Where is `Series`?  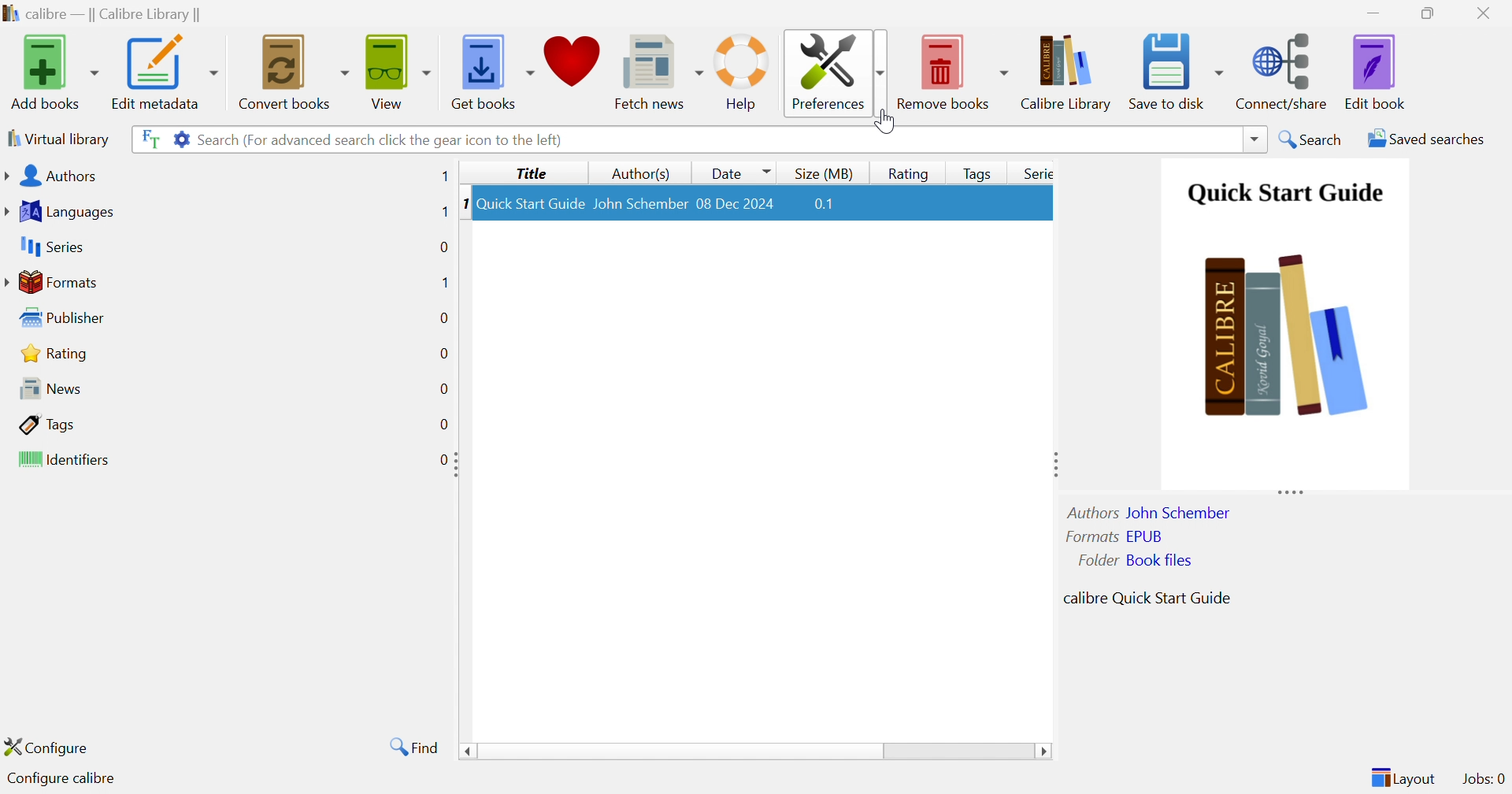 Series is located at coordinates (1035, 173).